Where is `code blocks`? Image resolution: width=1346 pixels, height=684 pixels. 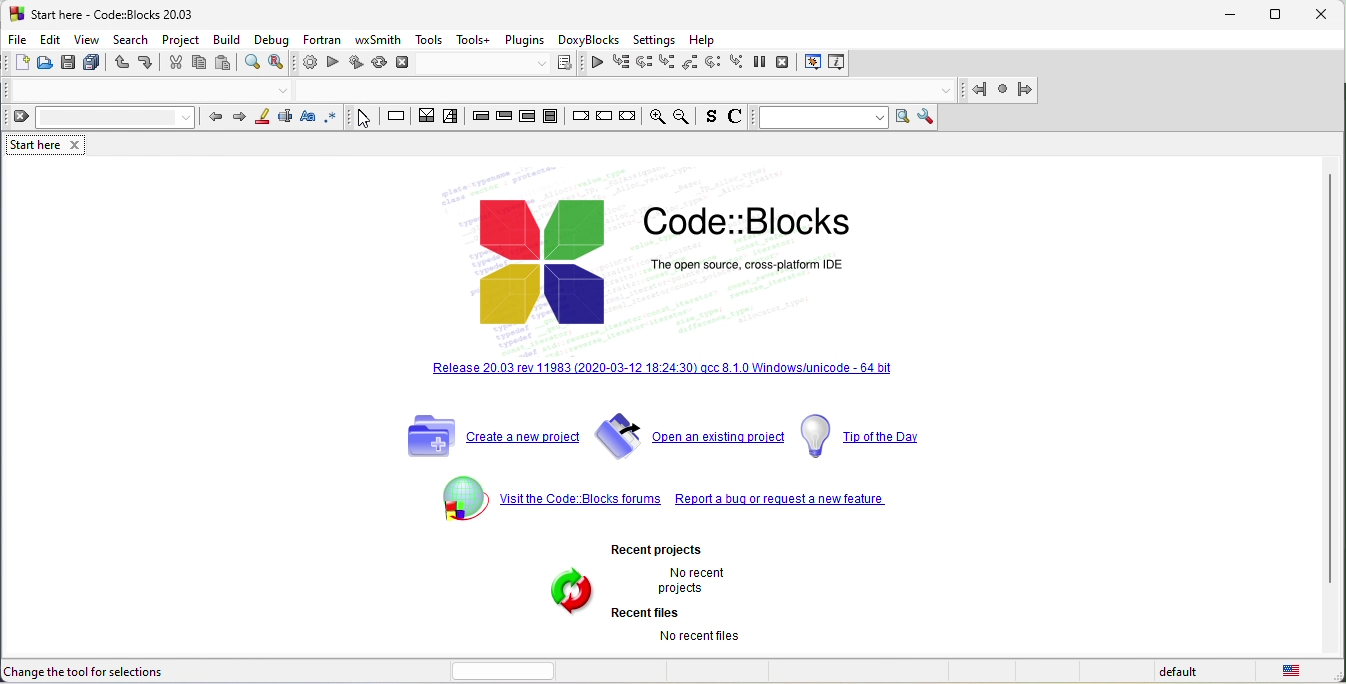 code blocks is located at coordinates (651, 250).